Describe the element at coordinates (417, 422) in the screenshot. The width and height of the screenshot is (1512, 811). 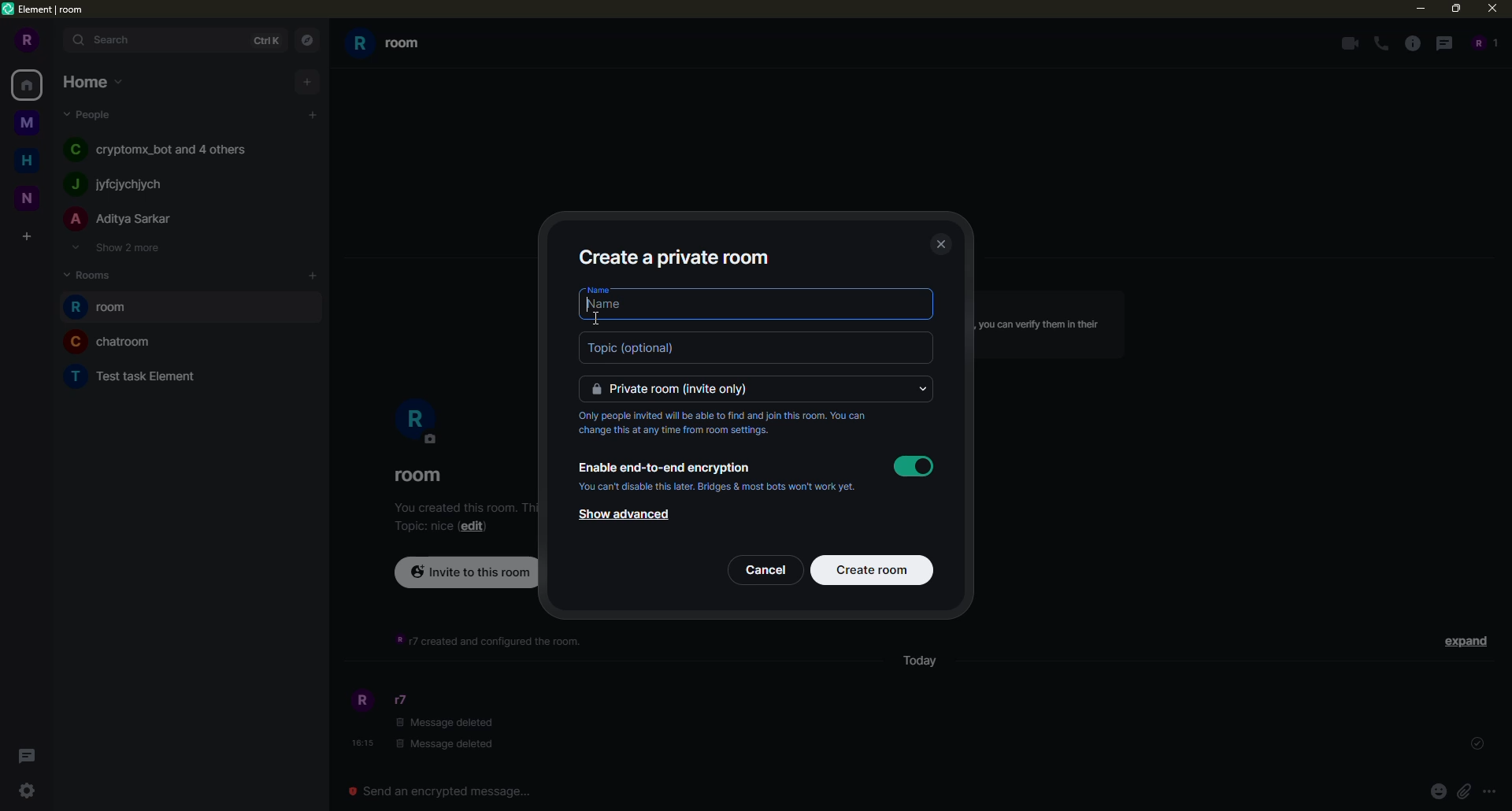
I see `profile` at that location.